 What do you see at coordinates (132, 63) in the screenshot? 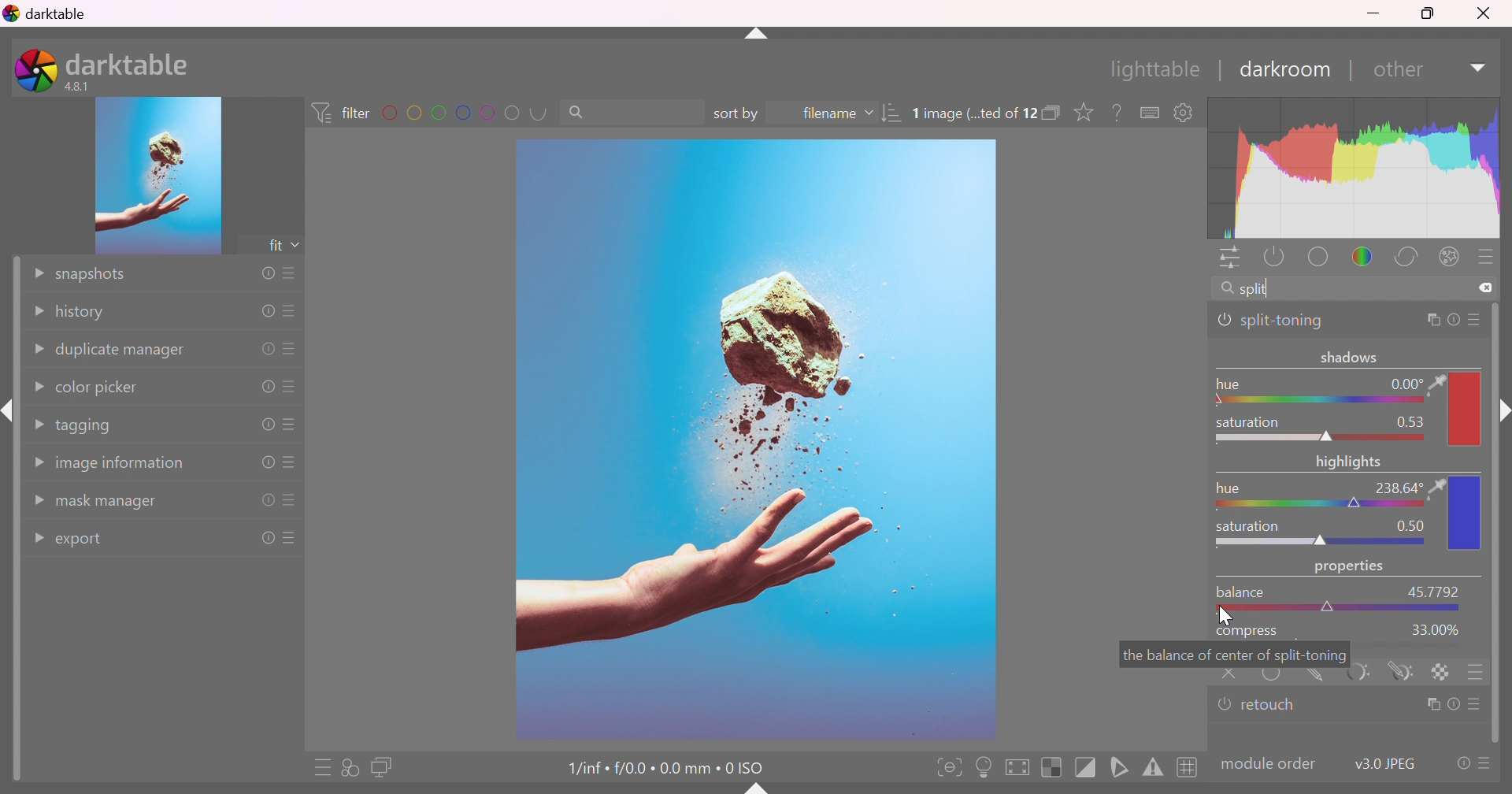
I see `darktable` at bounding box center [132, 63].